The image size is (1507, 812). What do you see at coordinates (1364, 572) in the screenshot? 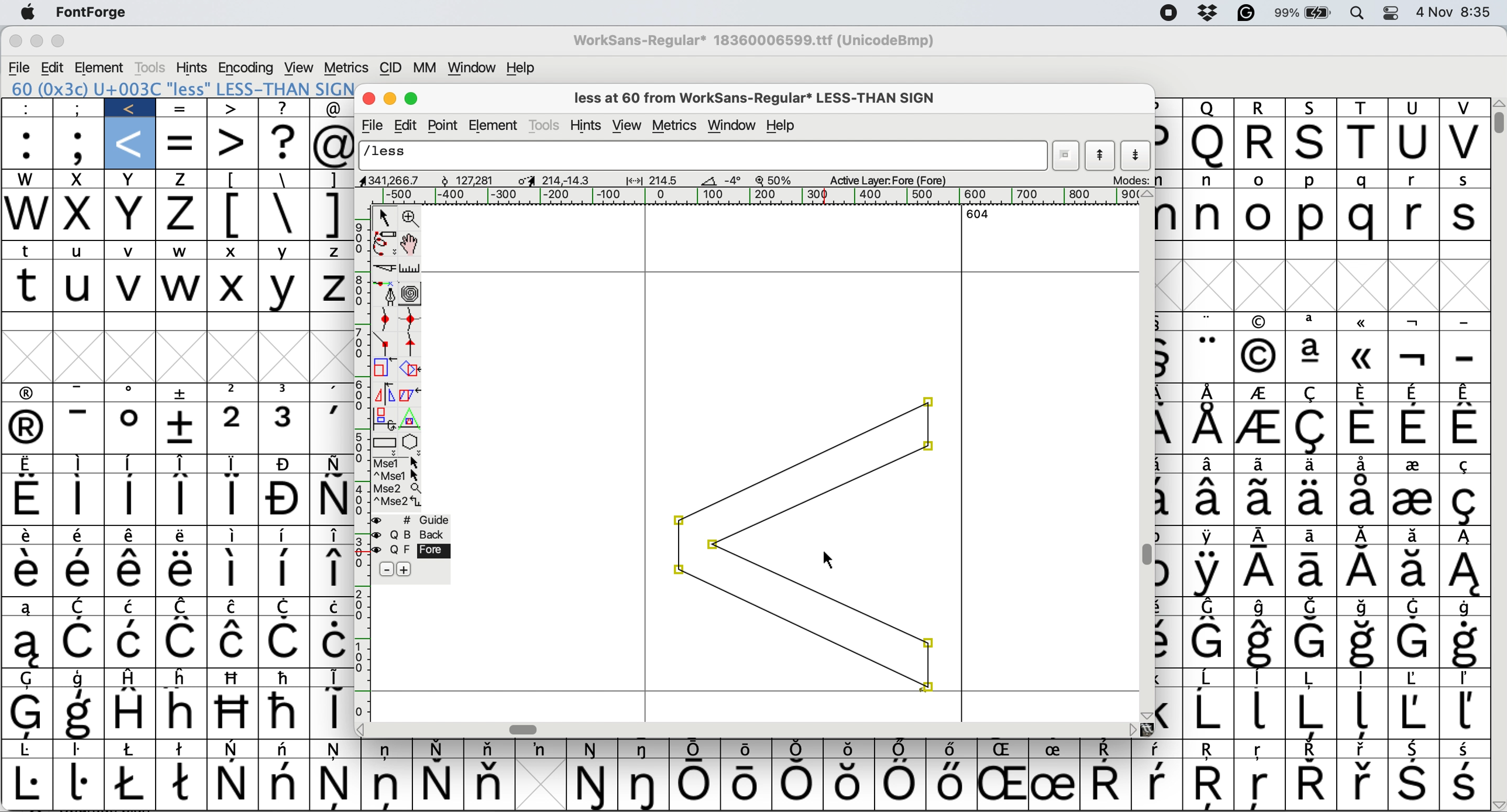
I see `Symbol` at bounding box center [1364, 572].